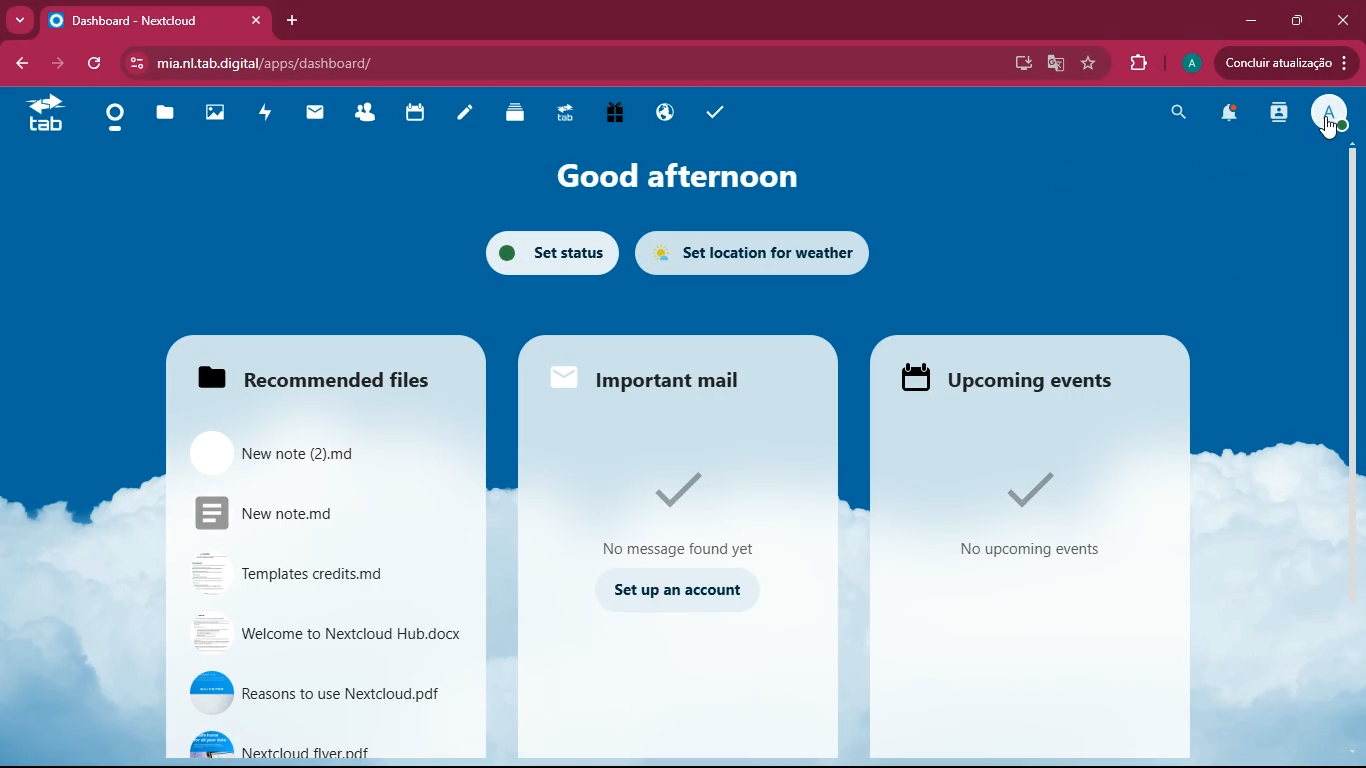 This screenshot has height=768, width=1366. I want to click on tab, so click(45, 115).